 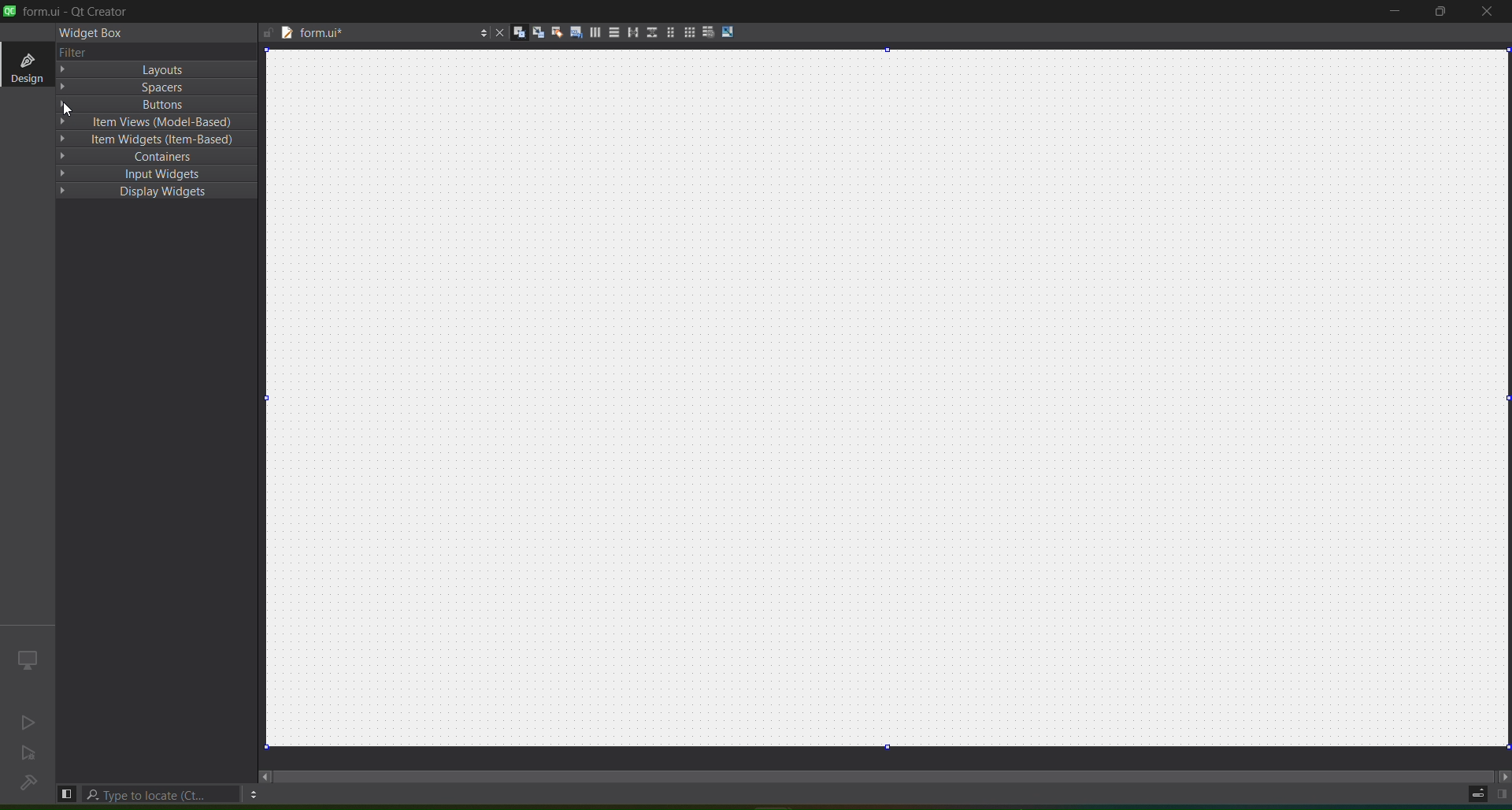 I want to click on show right panel, so click(x=1502, y=793).